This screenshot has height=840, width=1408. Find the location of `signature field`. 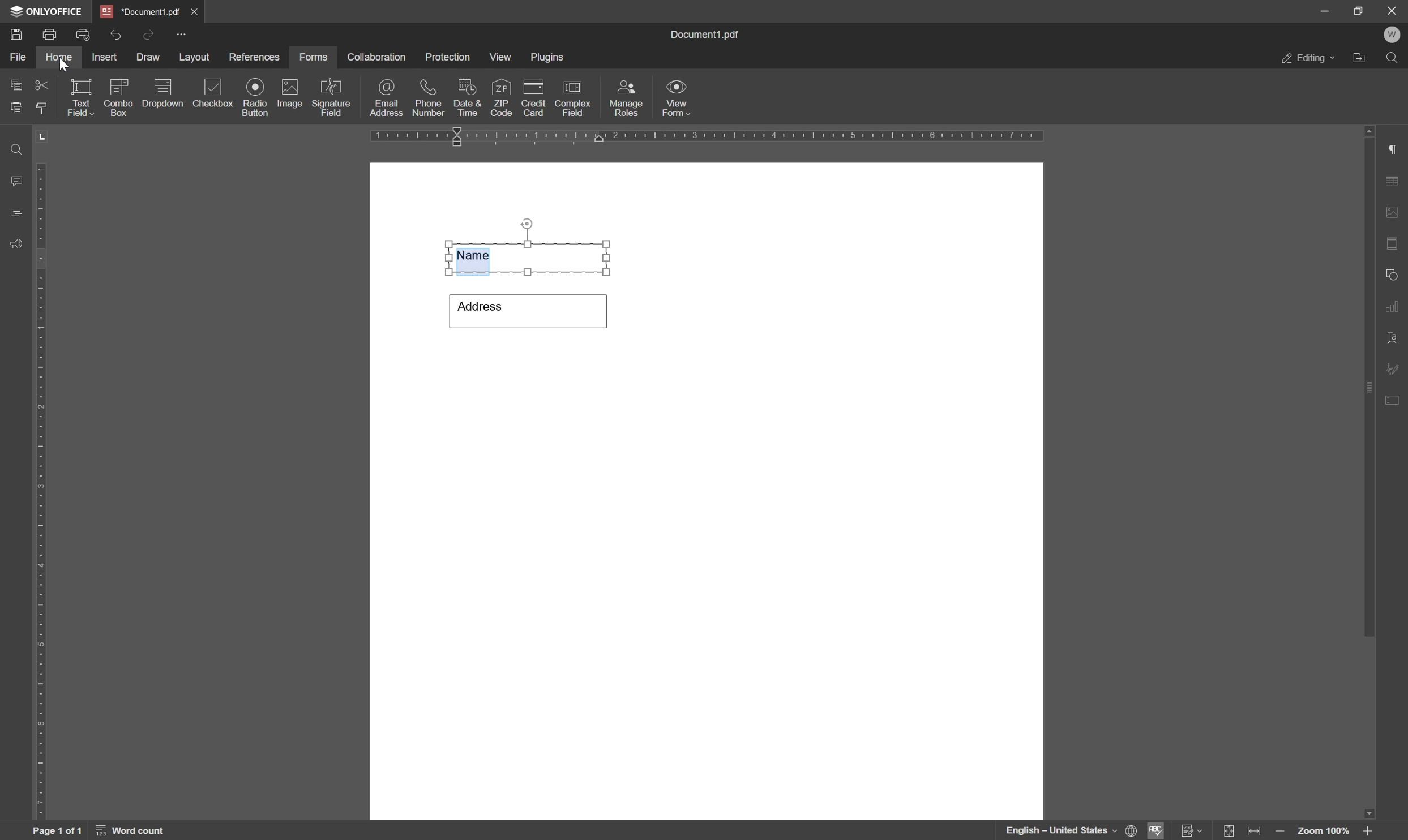

signature field is located at coordinates (333, 98).